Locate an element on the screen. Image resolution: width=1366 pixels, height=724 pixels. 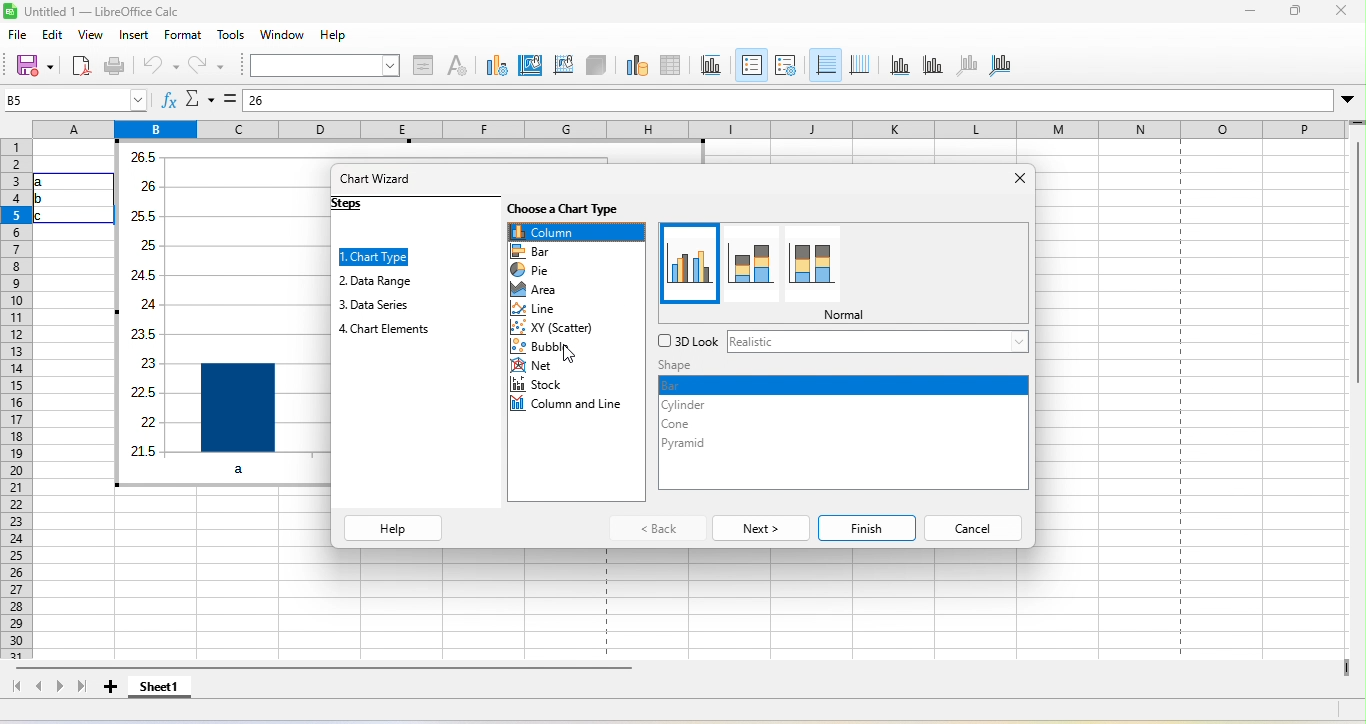
redo is located at coordinates (205, 65).